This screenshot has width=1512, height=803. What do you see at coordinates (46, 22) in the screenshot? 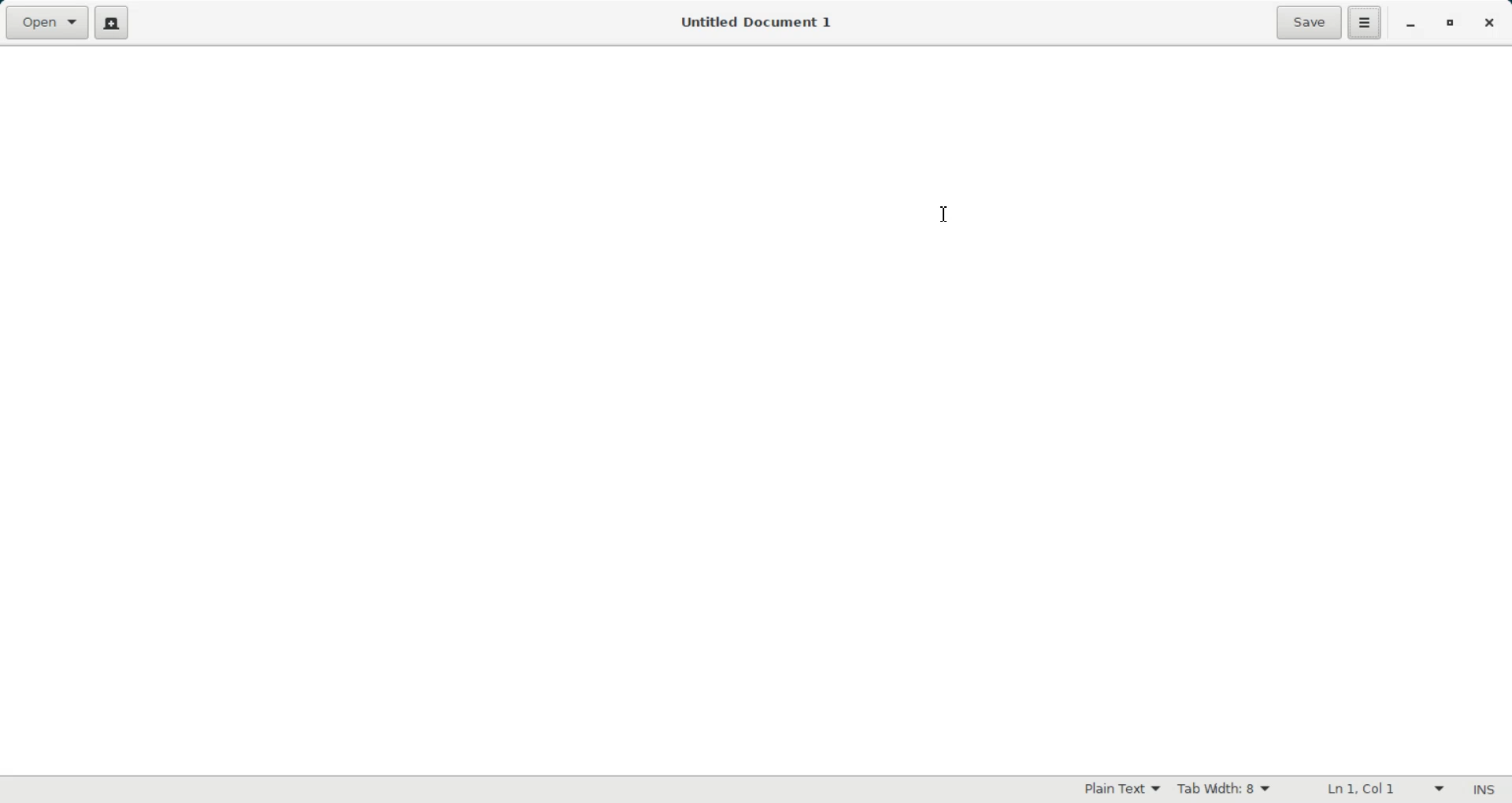
I see `Open a file` at bounding box center [46, 22].